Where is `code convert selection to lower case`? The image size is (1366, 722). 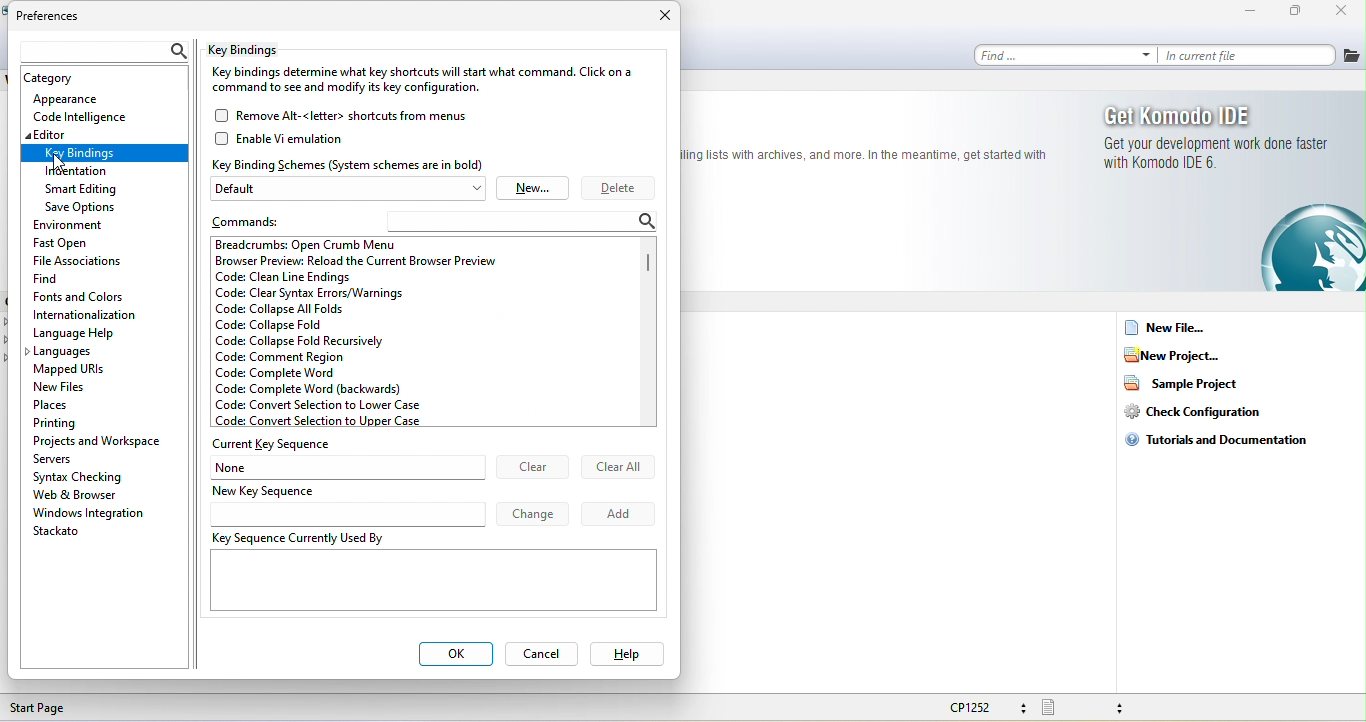
code convert selection to lower case is located at coordinates (319, 406).